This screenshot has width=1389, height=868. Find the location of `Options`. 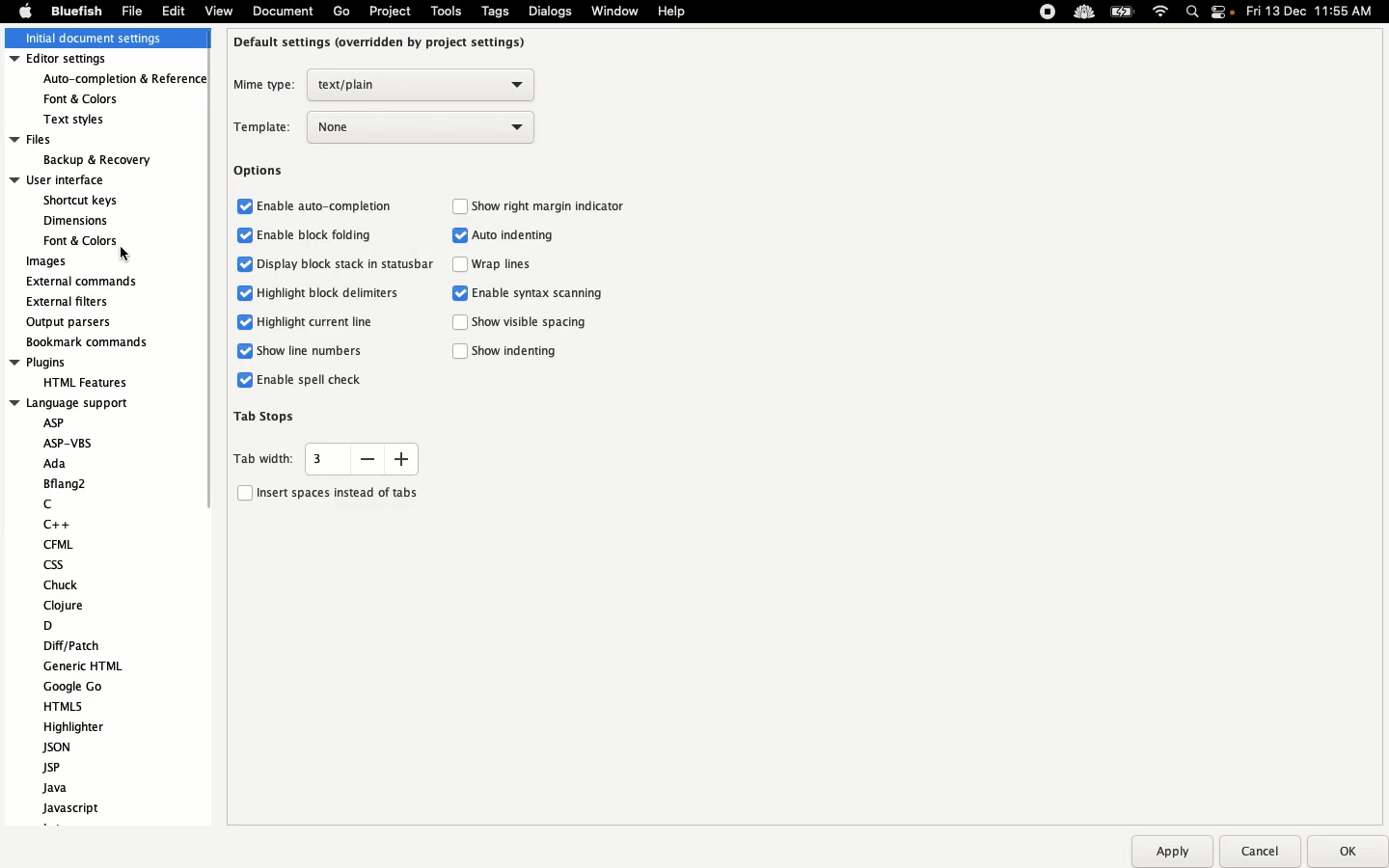

Options is located at coordinates (259, 172).